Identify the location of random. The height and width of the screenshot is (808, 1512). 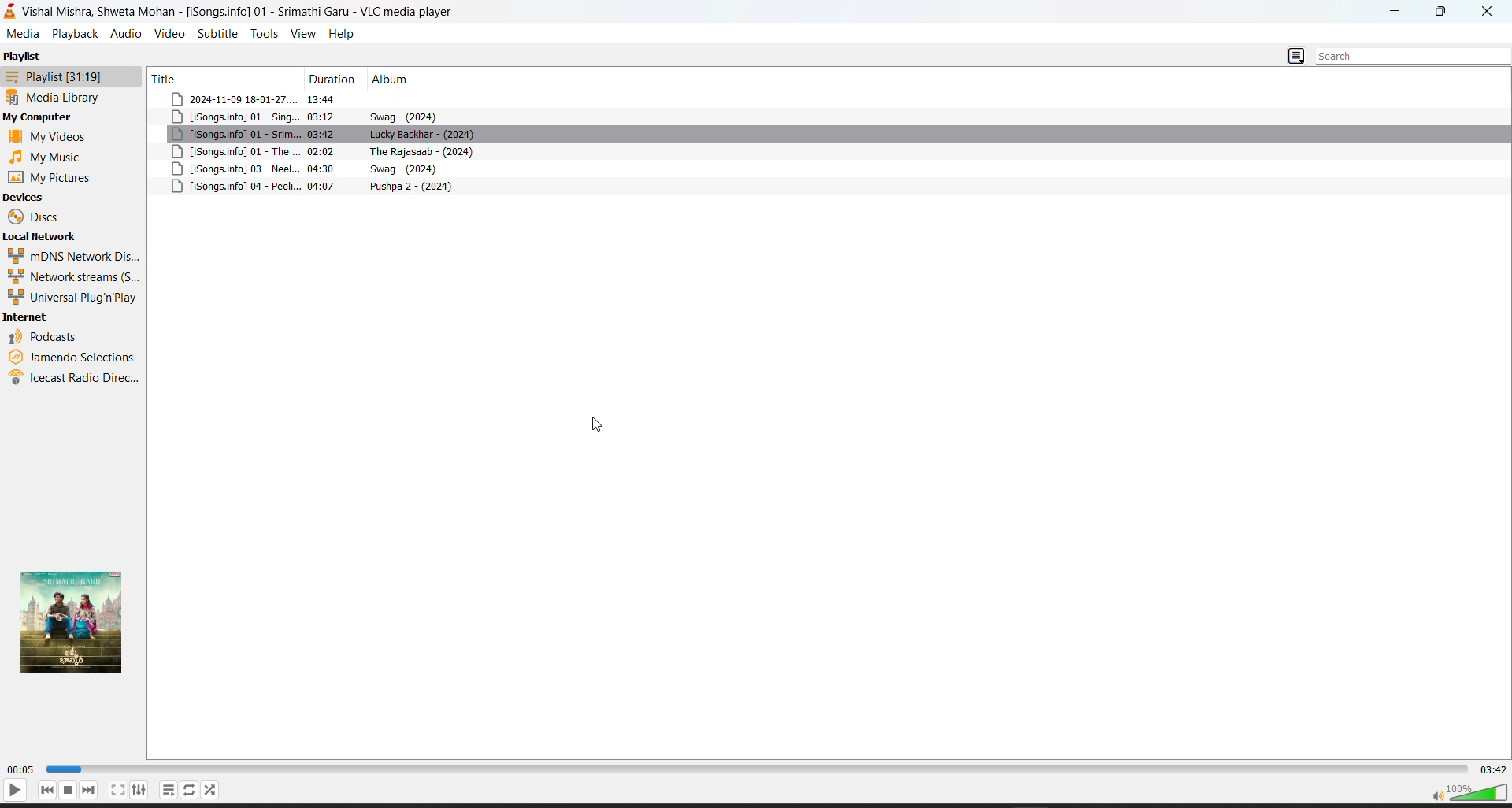
(210, 790).